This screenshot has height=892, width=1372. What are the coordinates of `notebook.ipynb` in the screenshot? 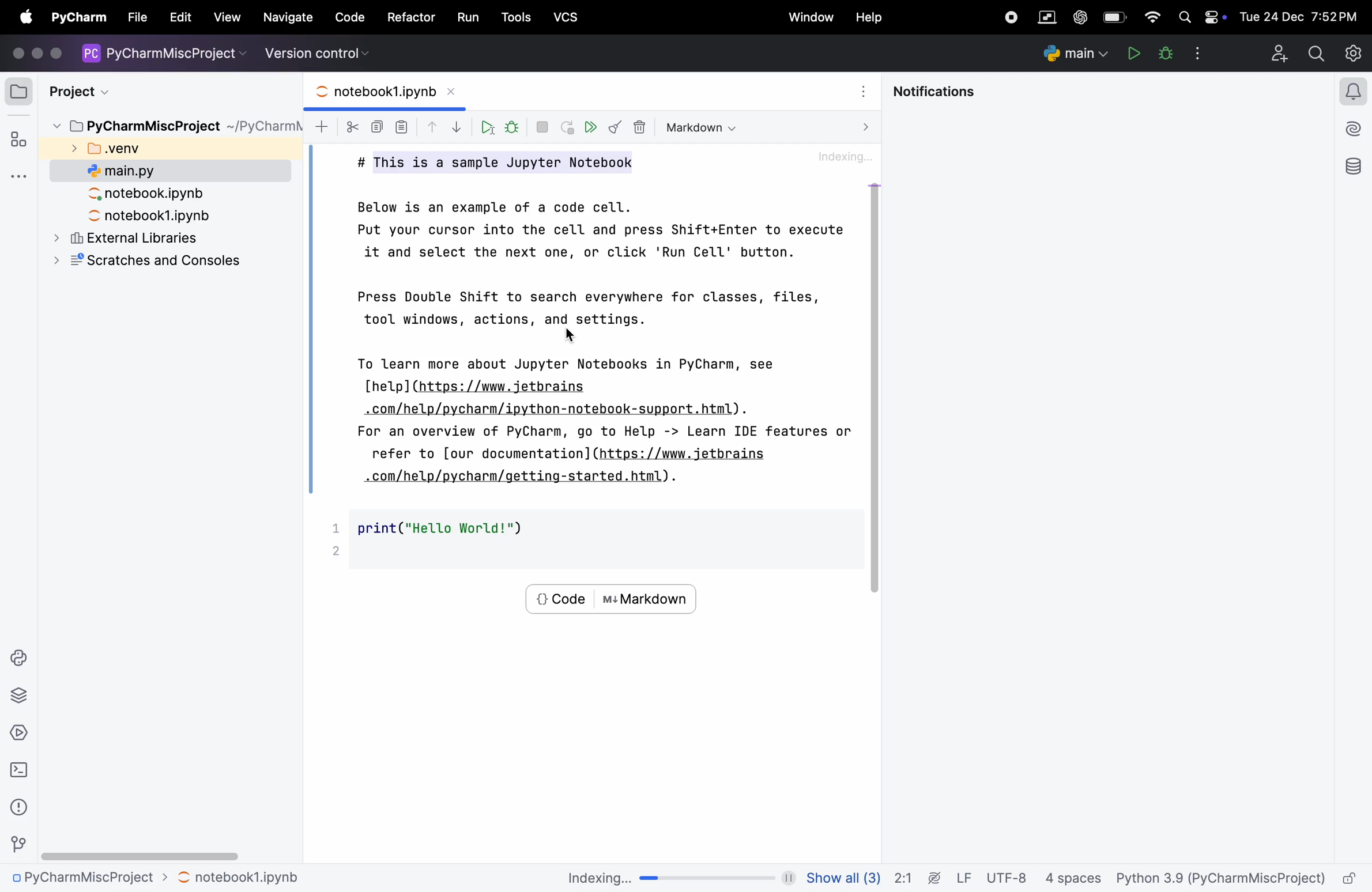 It's located at (154, 194).